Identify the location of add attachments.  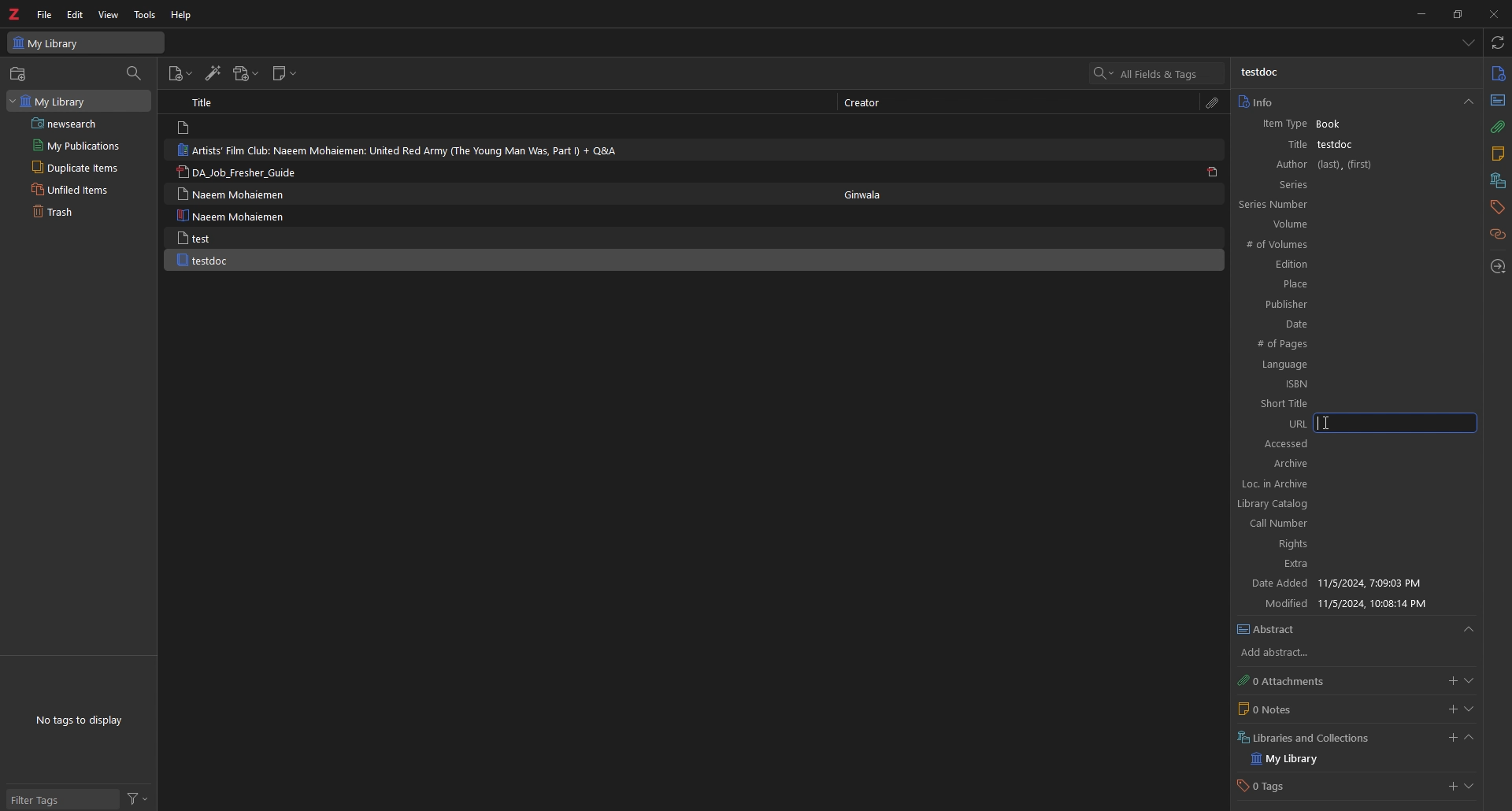
(1450, 680).